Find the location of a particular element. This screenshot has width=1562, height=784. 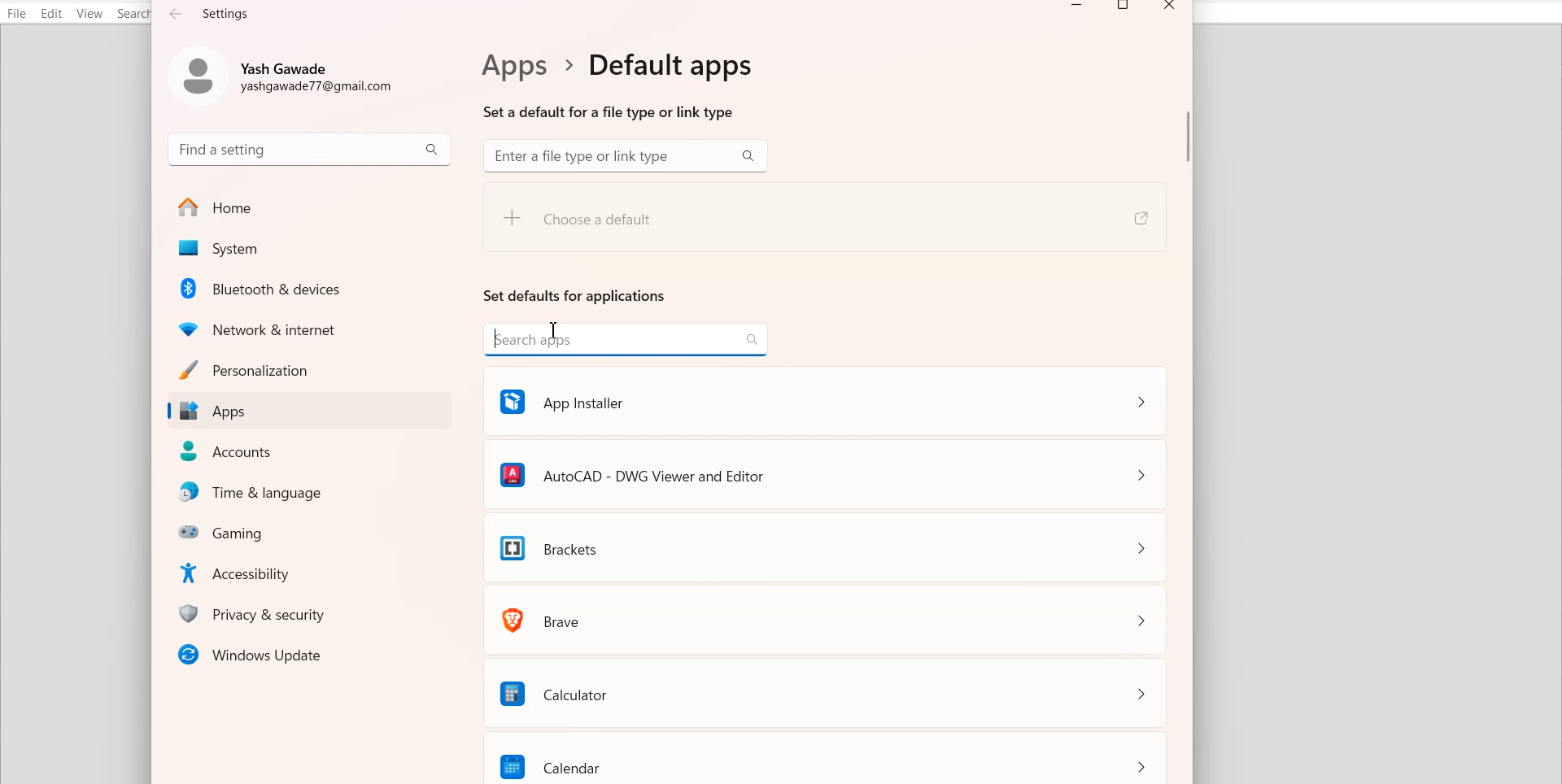

Edit is located at coordinates (52, 13).